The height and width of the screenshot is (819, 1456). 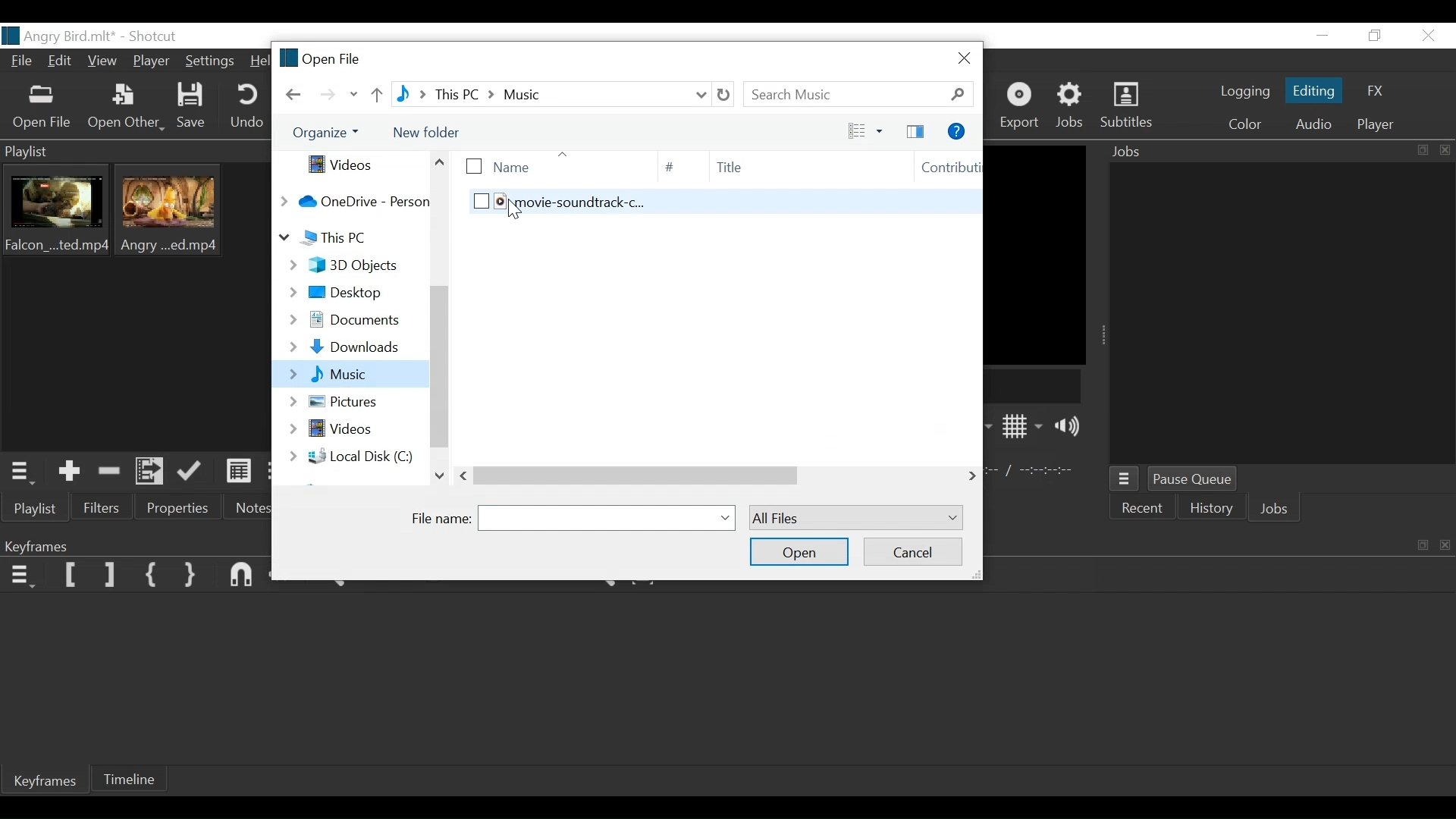 I want to click on File, so click(x=18, y=62).